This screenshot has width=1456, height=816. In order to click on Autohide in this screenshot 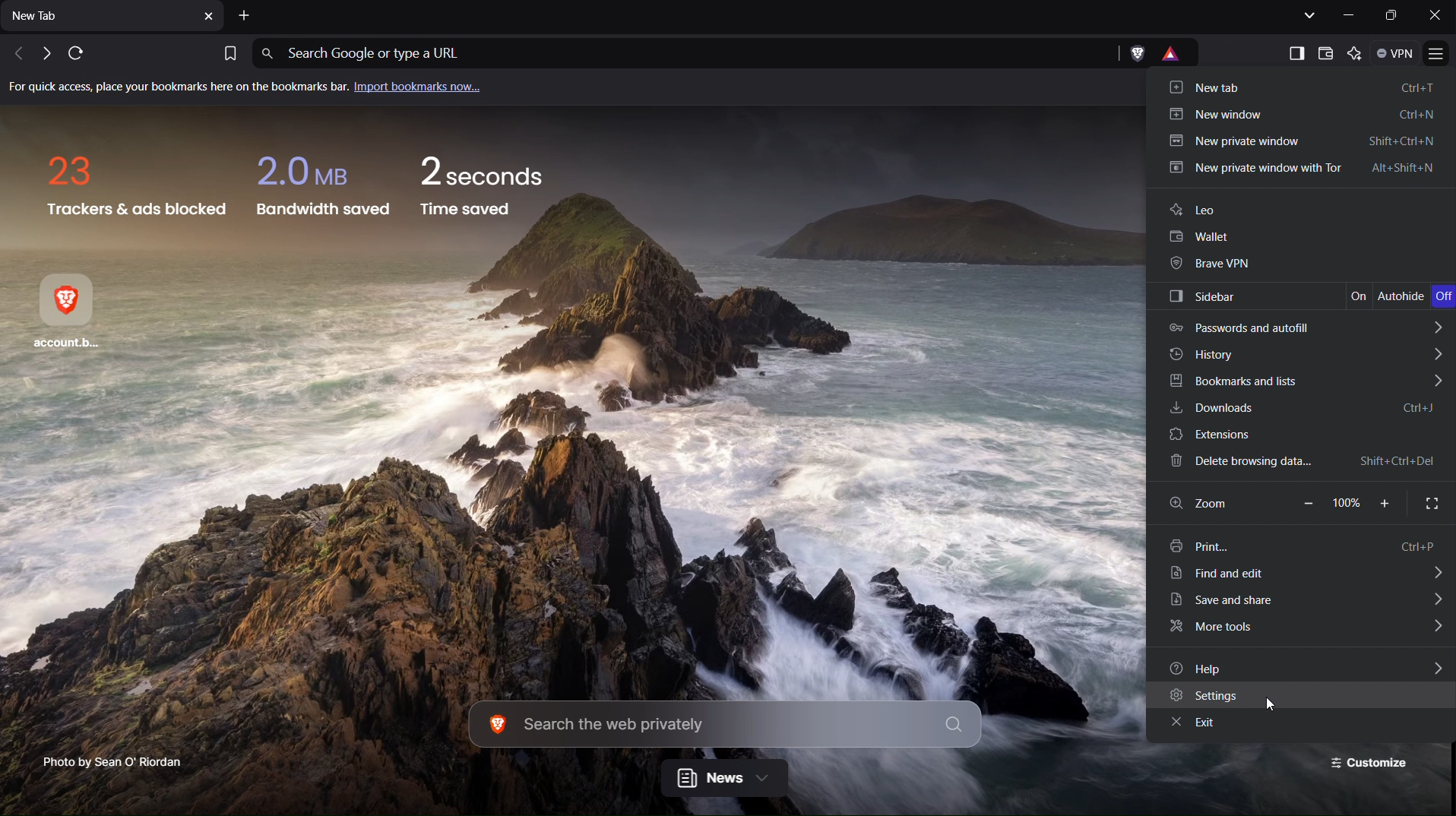, I will do `click(1404, 297)`.